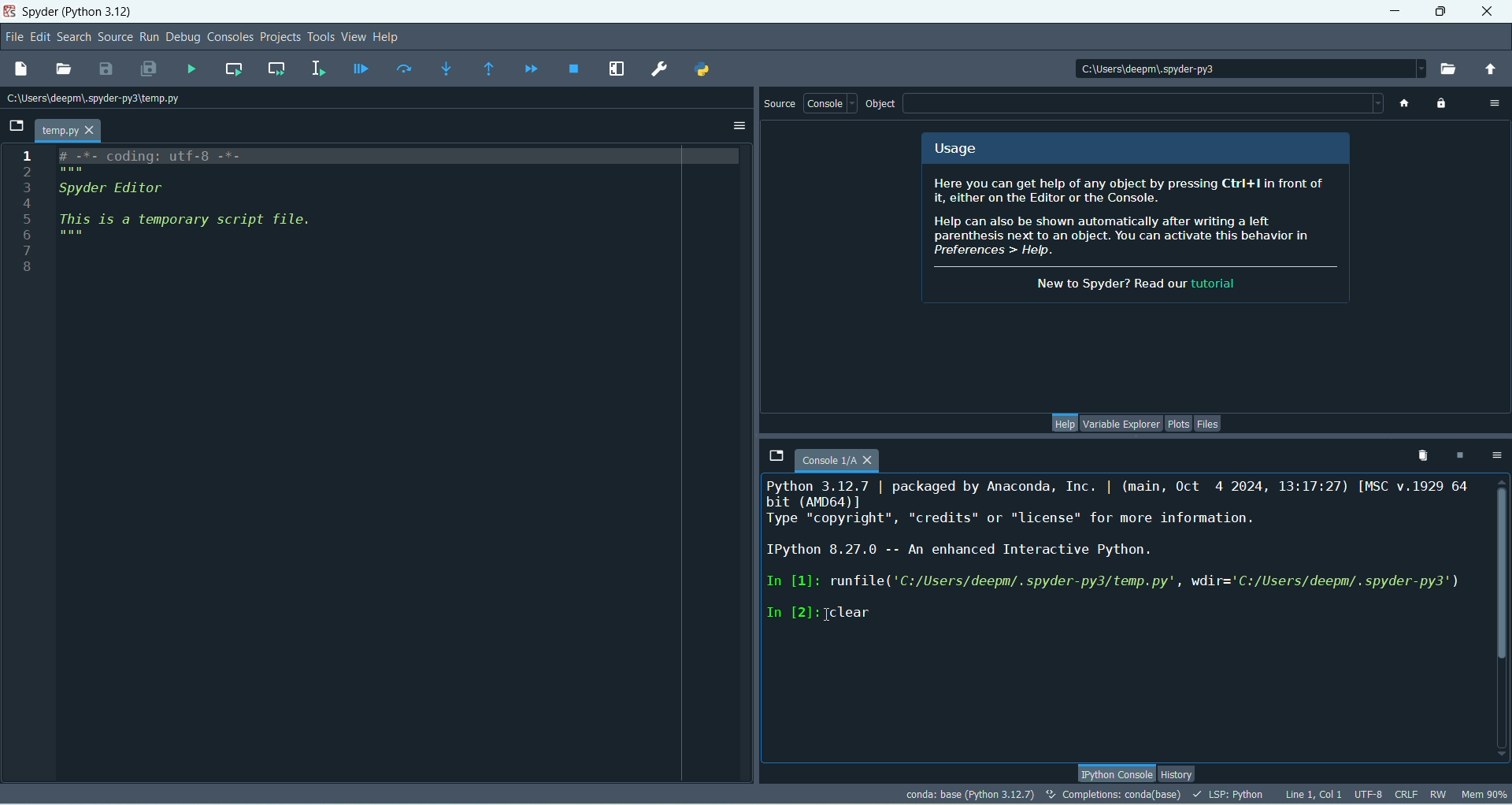  What do you see at coordinates (1486, 11) in the screenshot?
I see `close` at bounding box center [1486, 11].